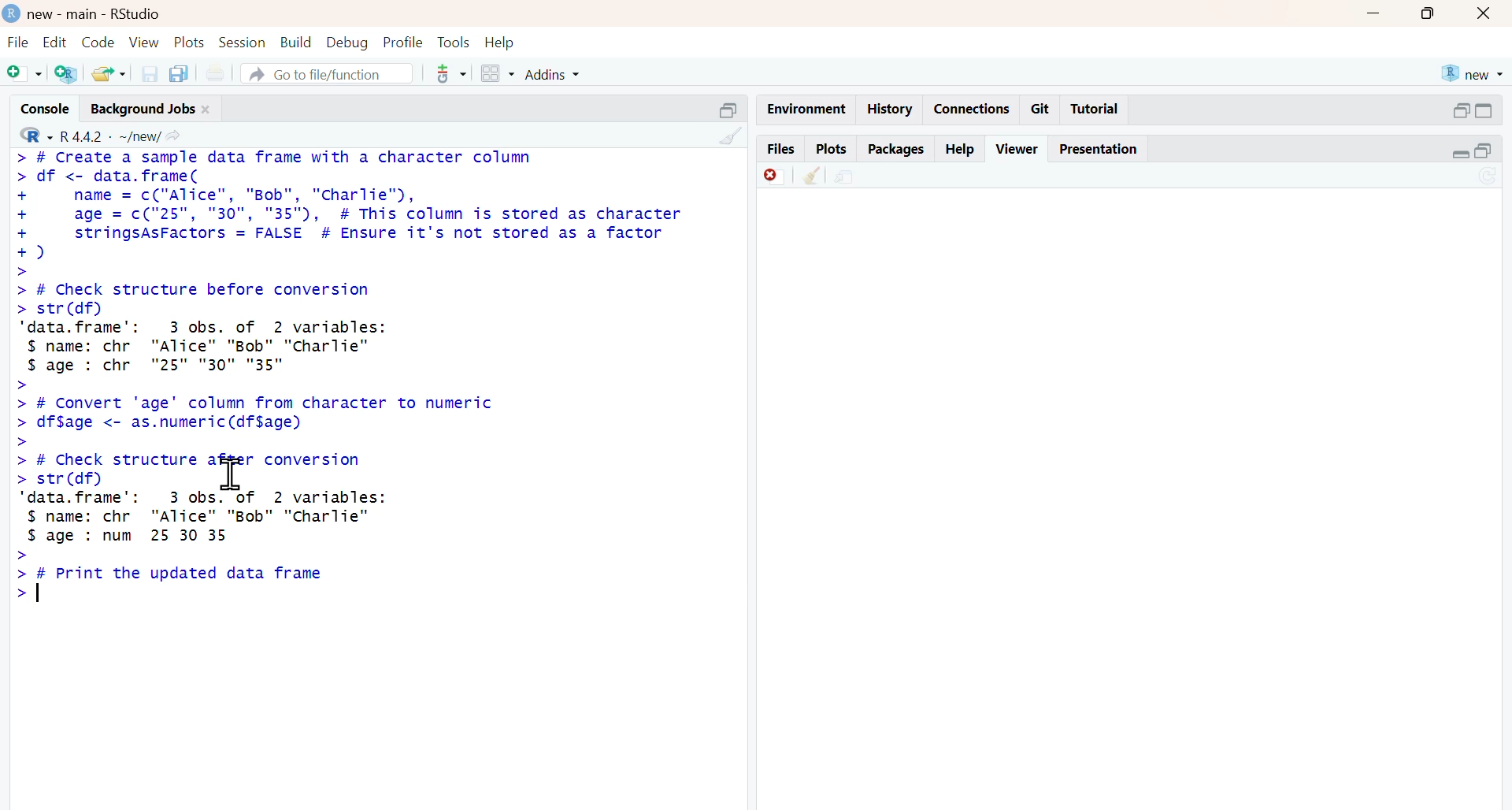 This screenshot has width=1512, height=810. Describe the element at coordinates (55, 43) in the screenshot. I see `edit` at that location.